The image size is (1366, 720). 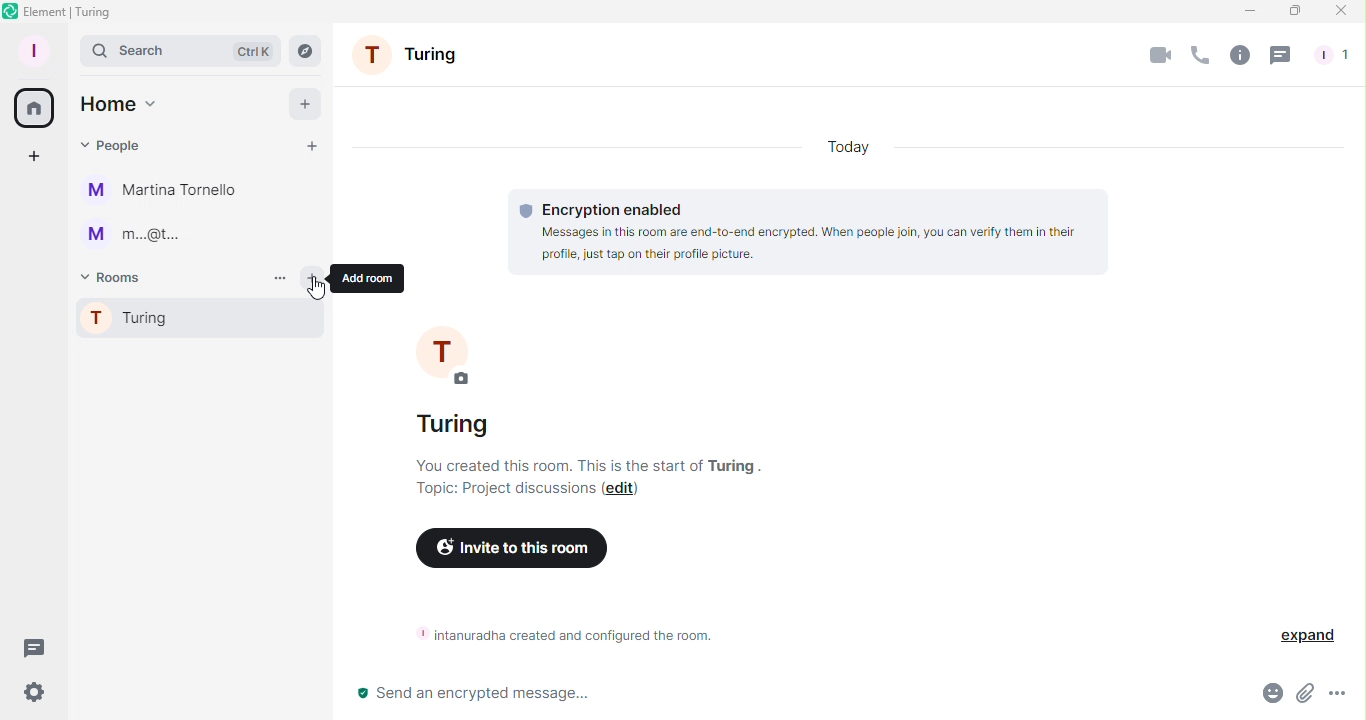 What do you see at coordinates (480, 355) in the screenshot?
I see `T` at bounding box center [480, 355].